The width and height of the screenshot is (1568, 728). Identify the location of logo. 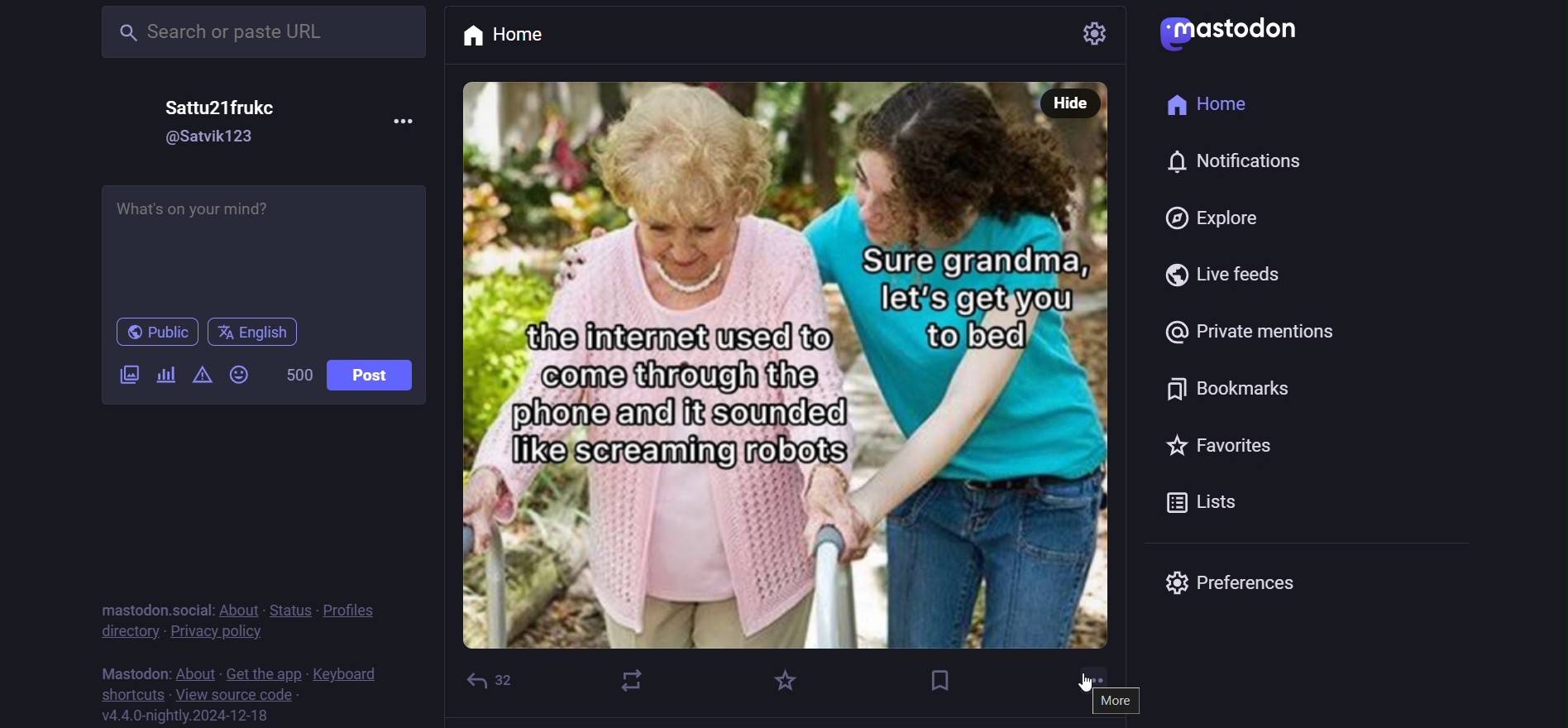
(1228, 31).